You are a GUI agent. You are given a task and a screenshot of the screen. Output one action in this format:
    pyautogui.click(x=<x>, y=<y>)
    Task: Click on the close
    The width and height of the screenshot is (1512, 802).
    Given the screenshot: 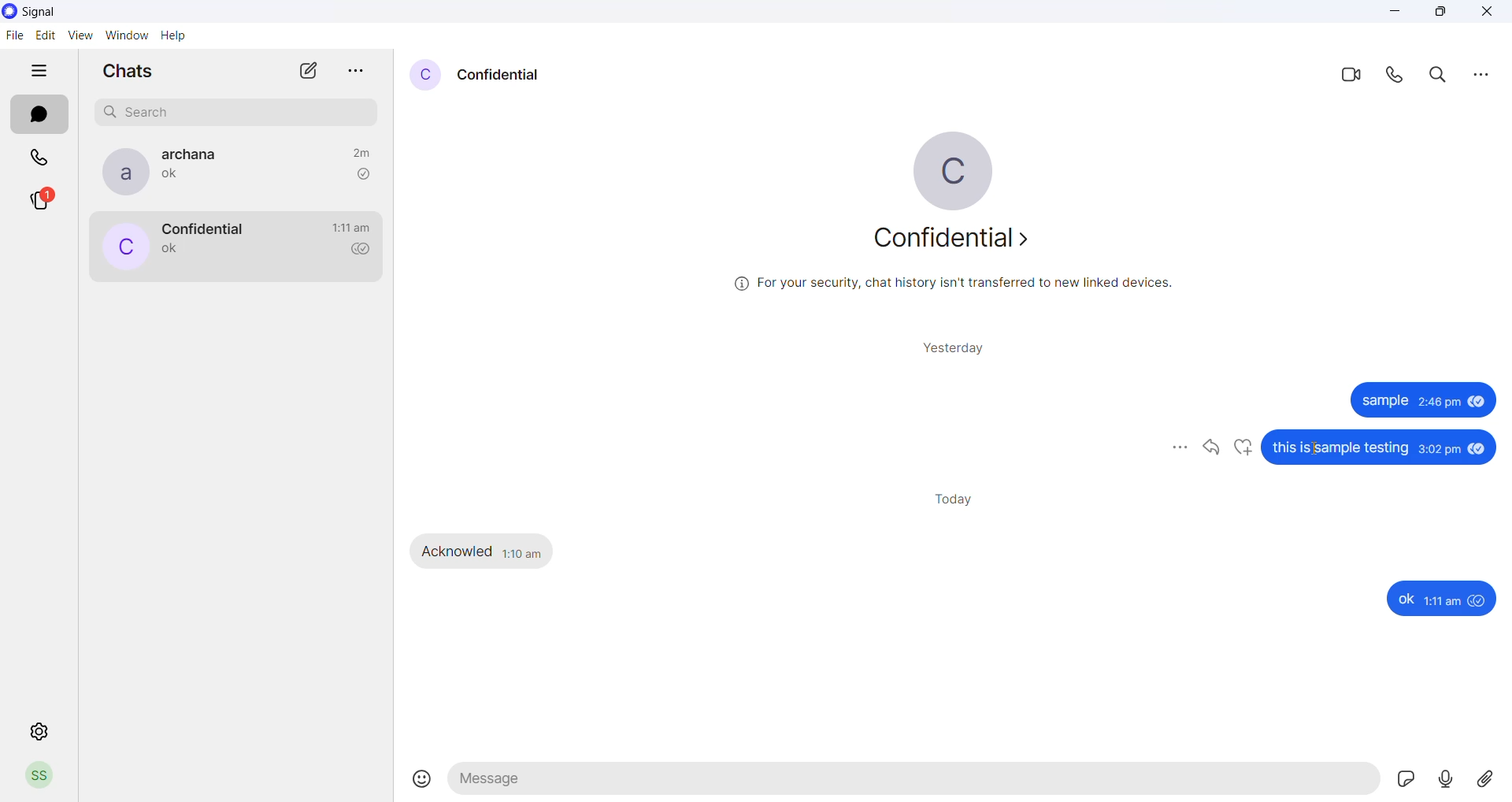 What is the action you would take?
    pyautogui.click(x=1487, y=13)
    